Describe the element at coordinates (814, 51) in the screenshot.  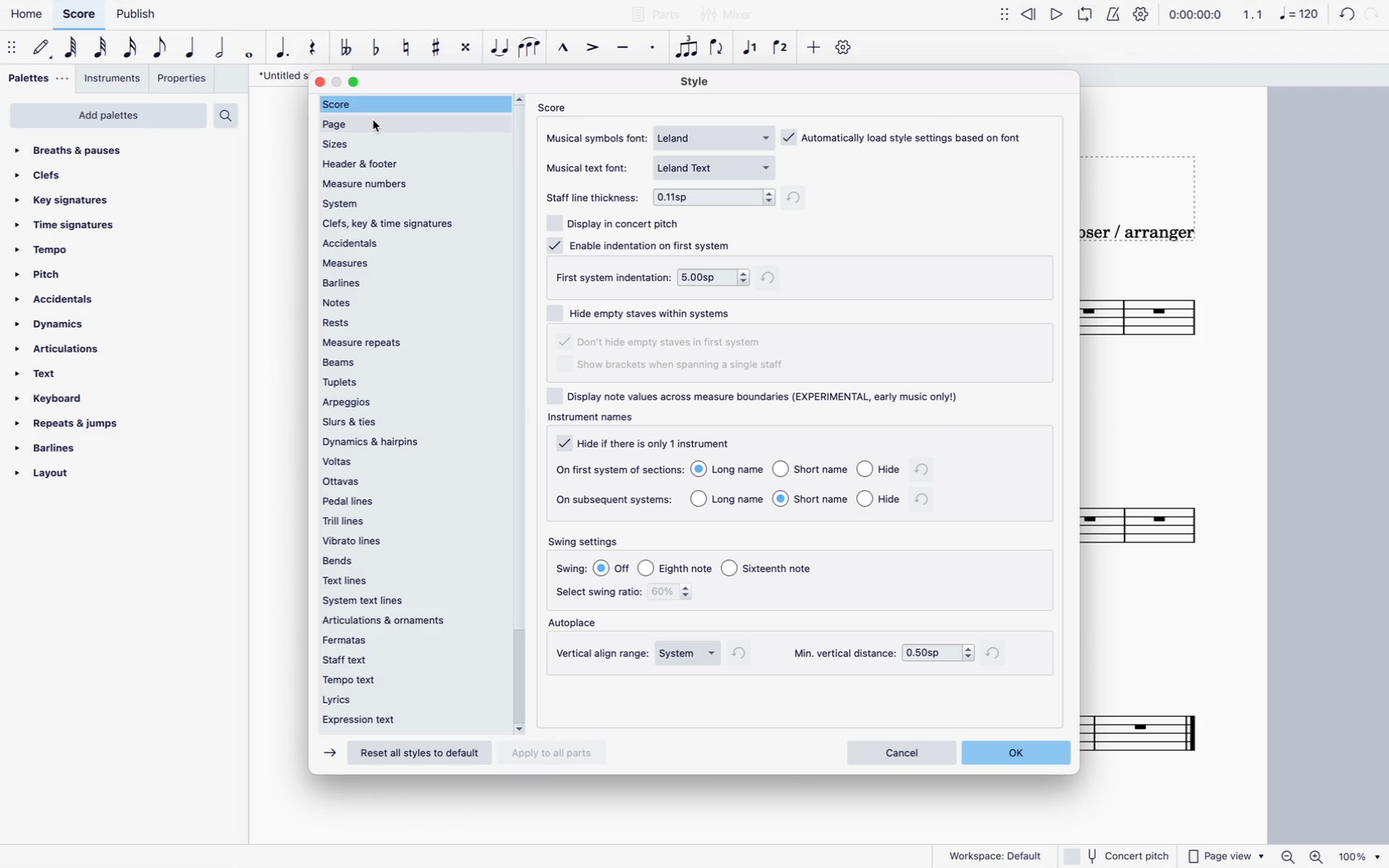
I see `more` at that location.